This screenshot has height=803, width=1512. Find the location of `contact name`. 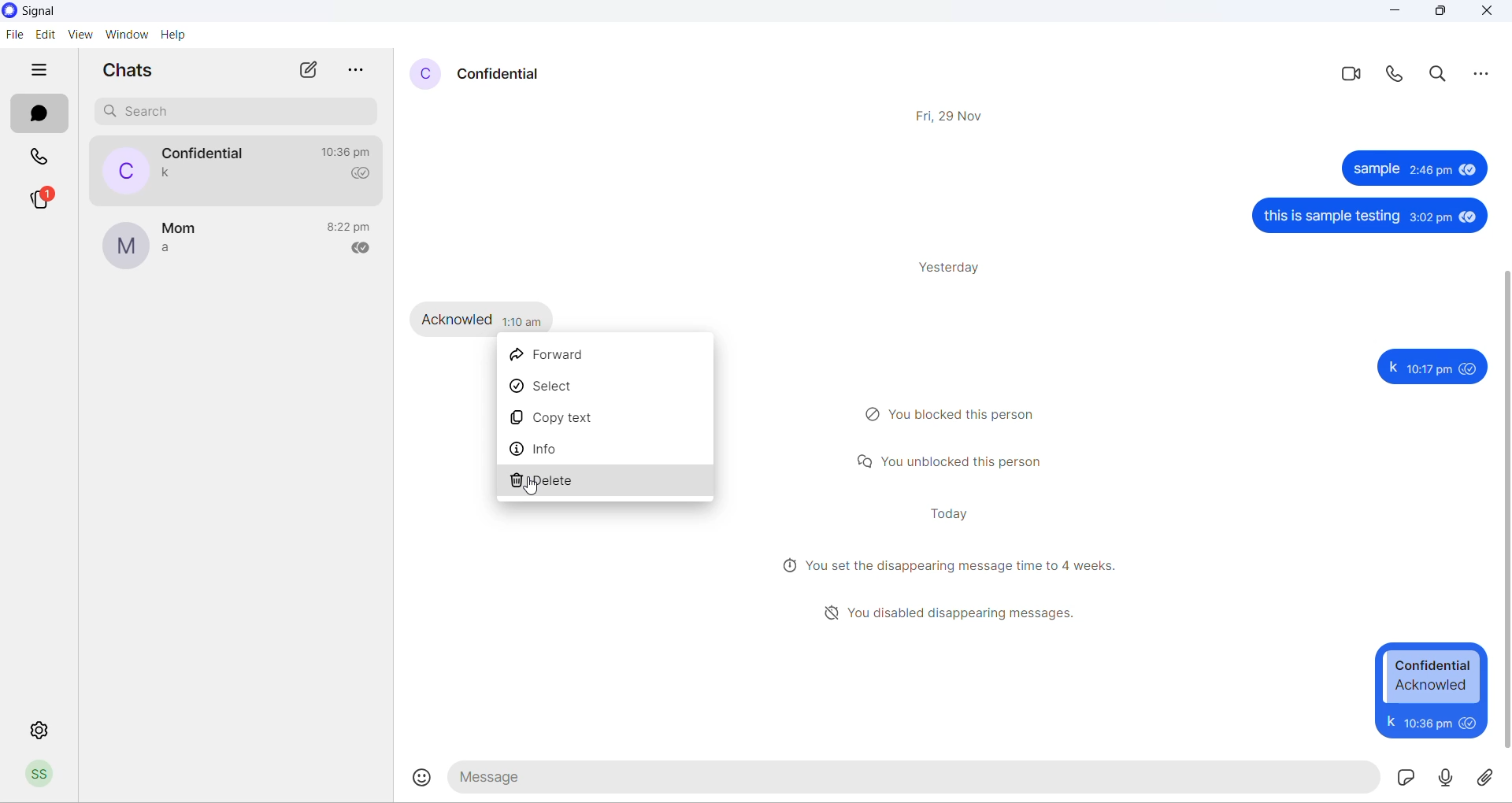

contact name is located at coordinates (502, 73).